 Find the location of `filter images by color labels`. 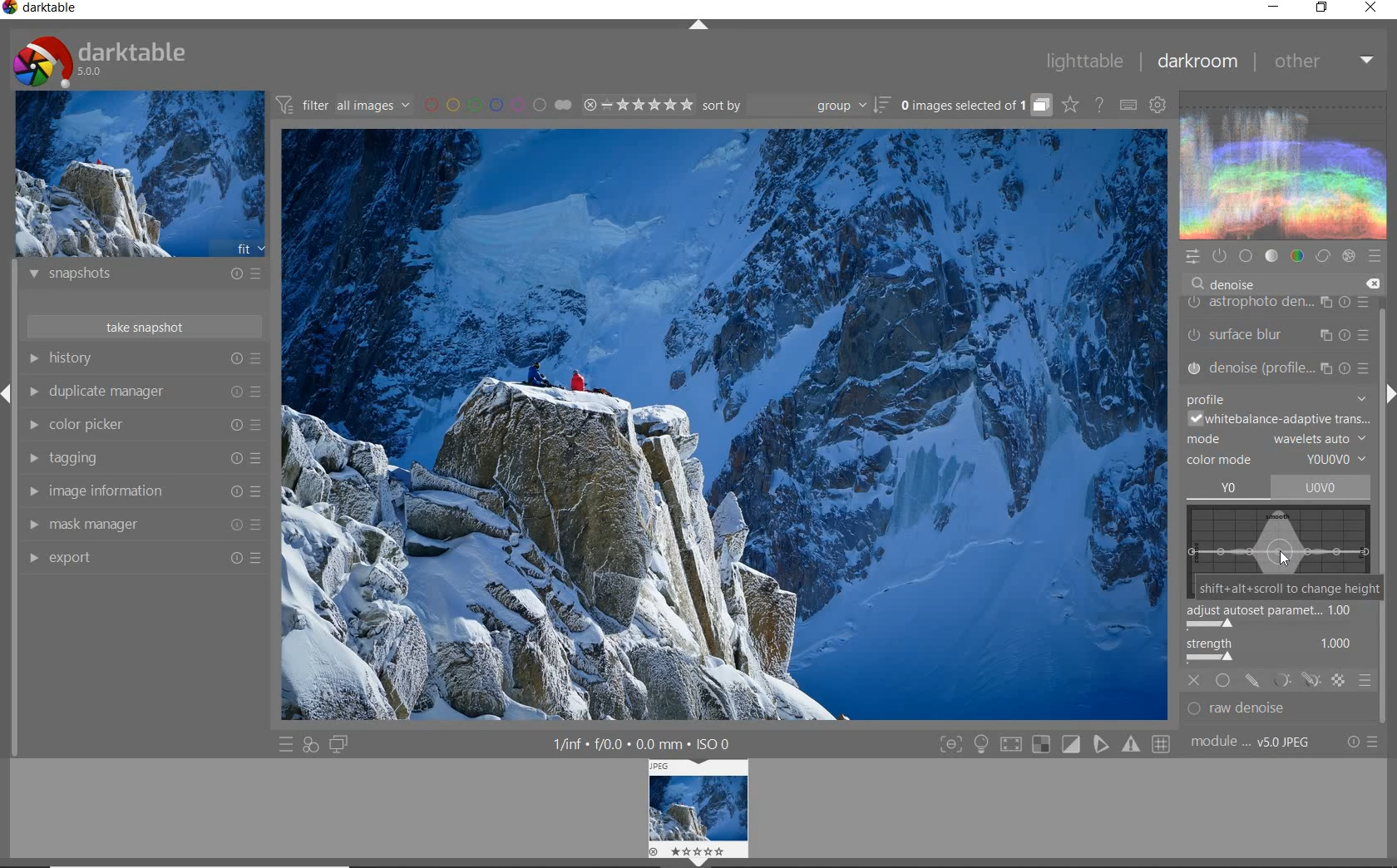

filter images by color labels is located at coordinates (498, 104).